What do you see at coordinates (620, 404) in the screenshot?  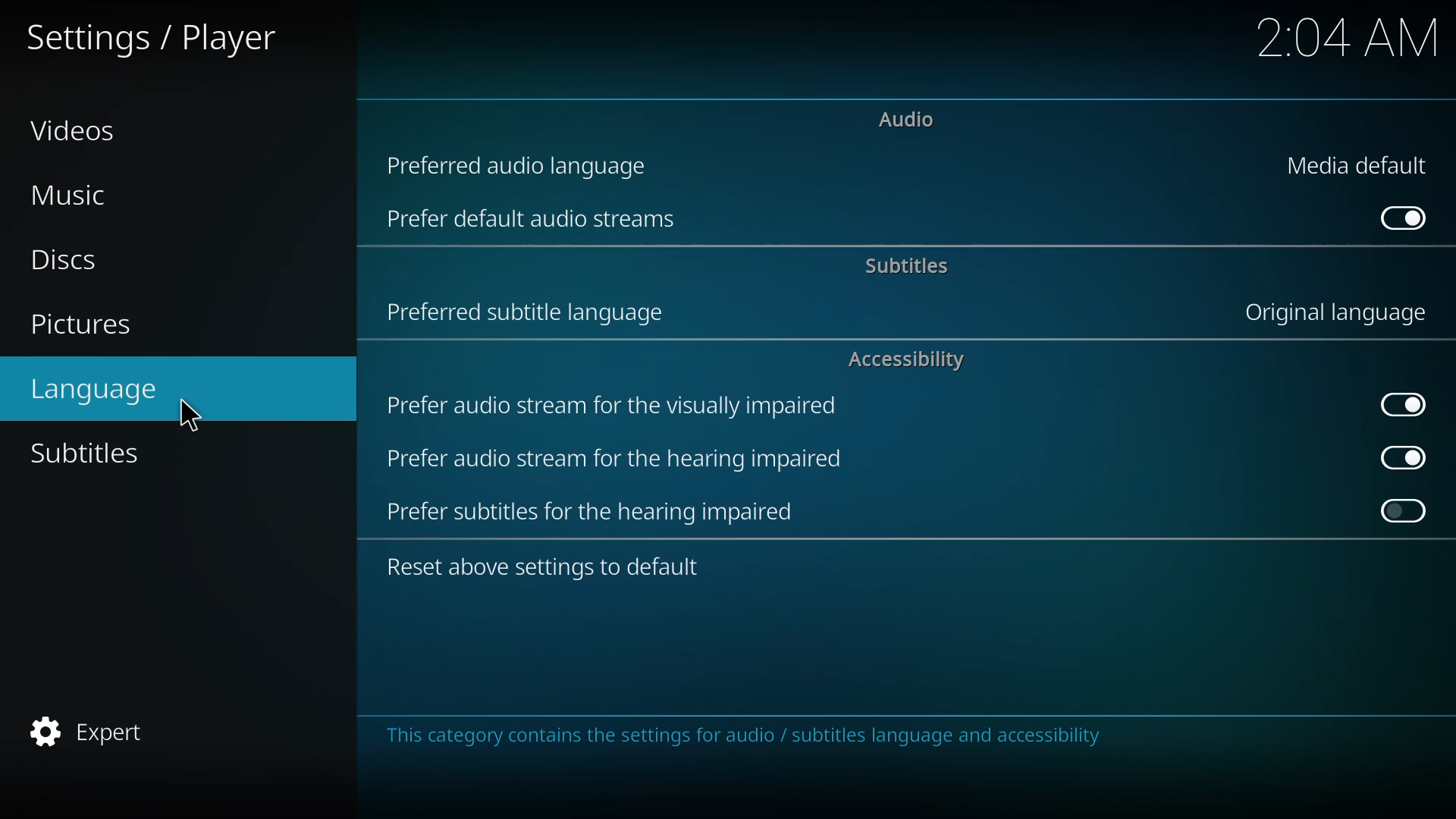 I see `prefer audio stream for visually impaired` at bounding box center [620, 404].